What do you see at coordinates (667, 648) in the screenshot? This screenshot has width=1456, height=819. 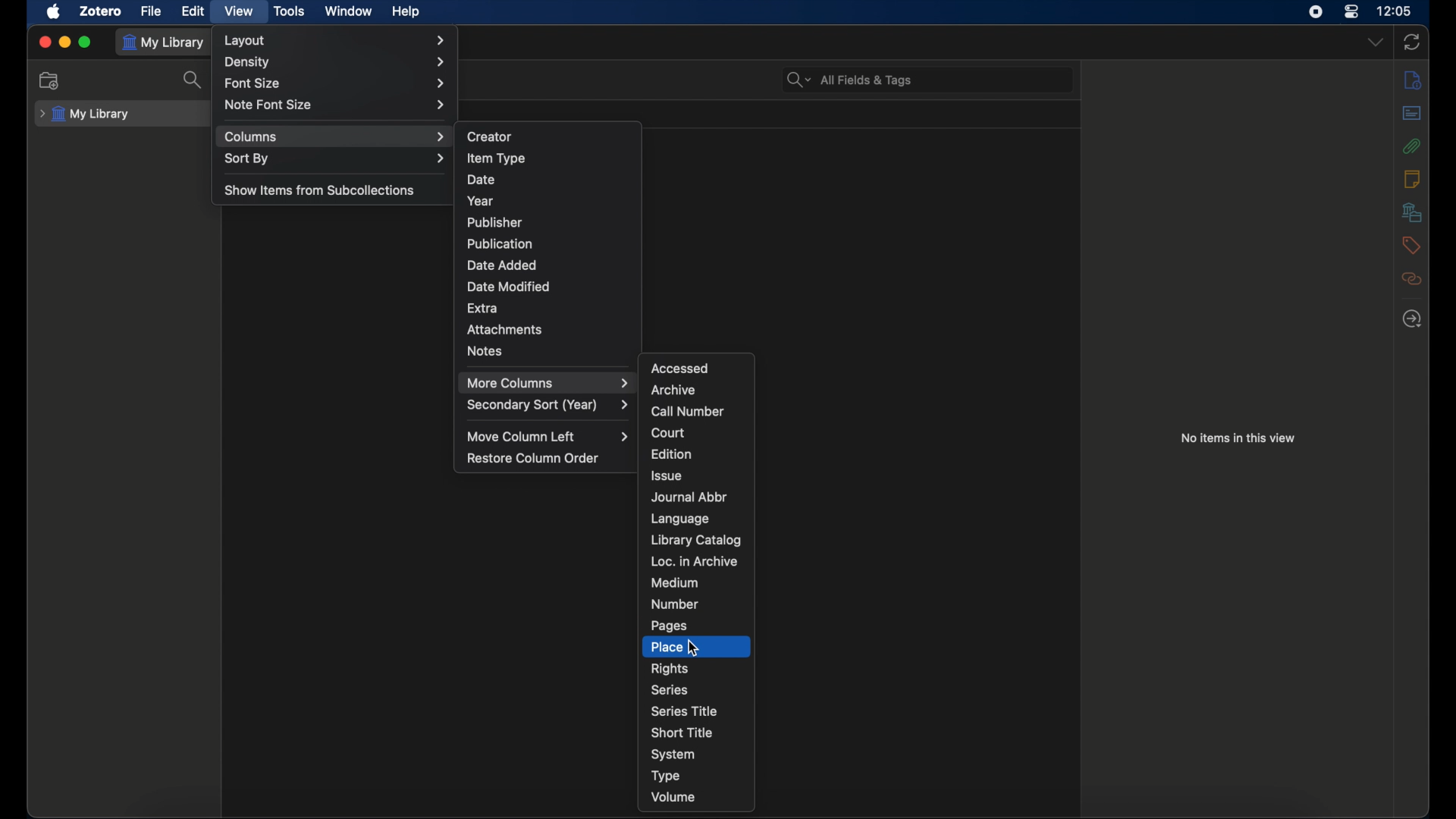 I see `place` at bounding box center [667, 648].